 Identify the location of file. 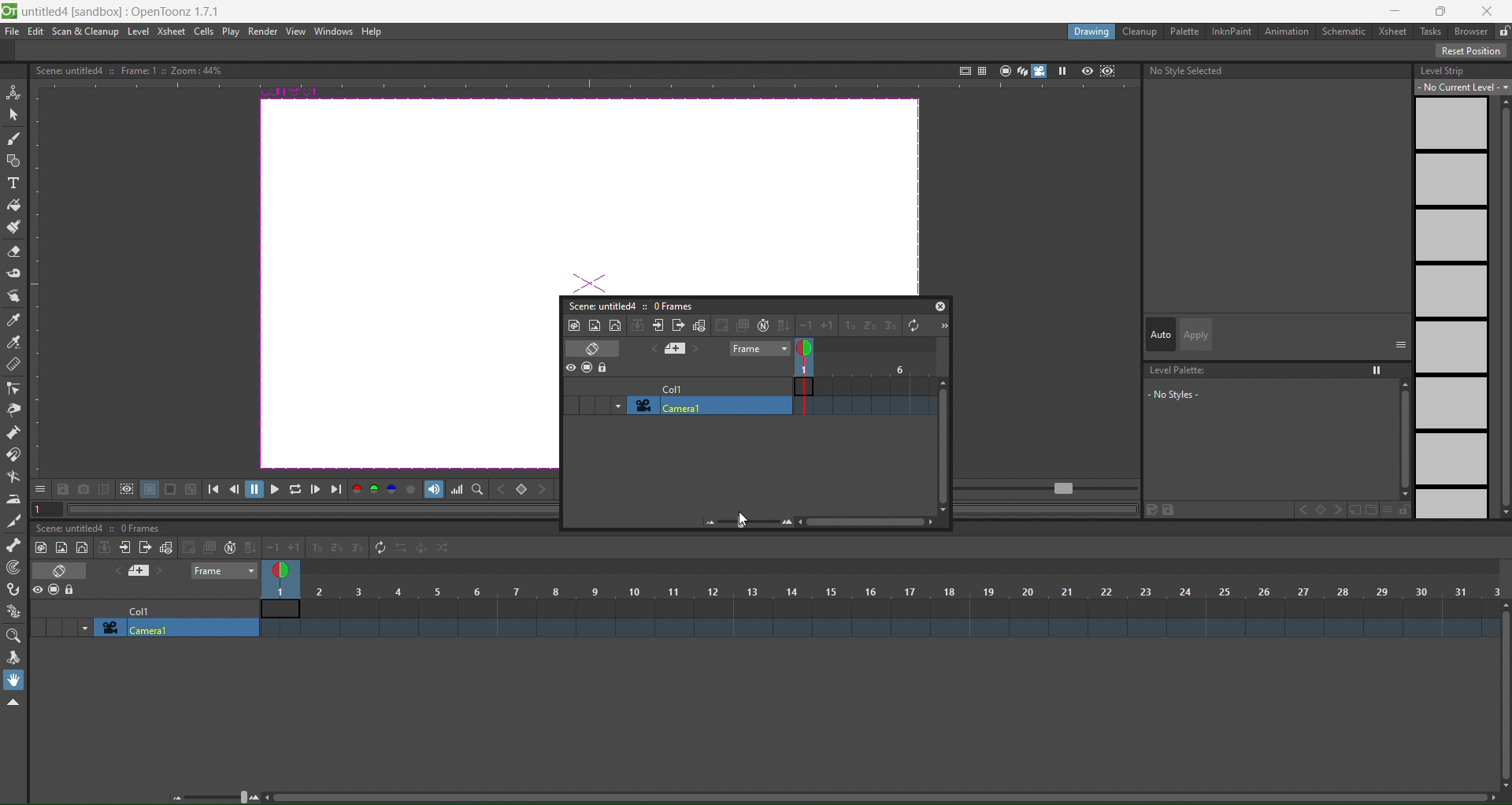
(13, 32).